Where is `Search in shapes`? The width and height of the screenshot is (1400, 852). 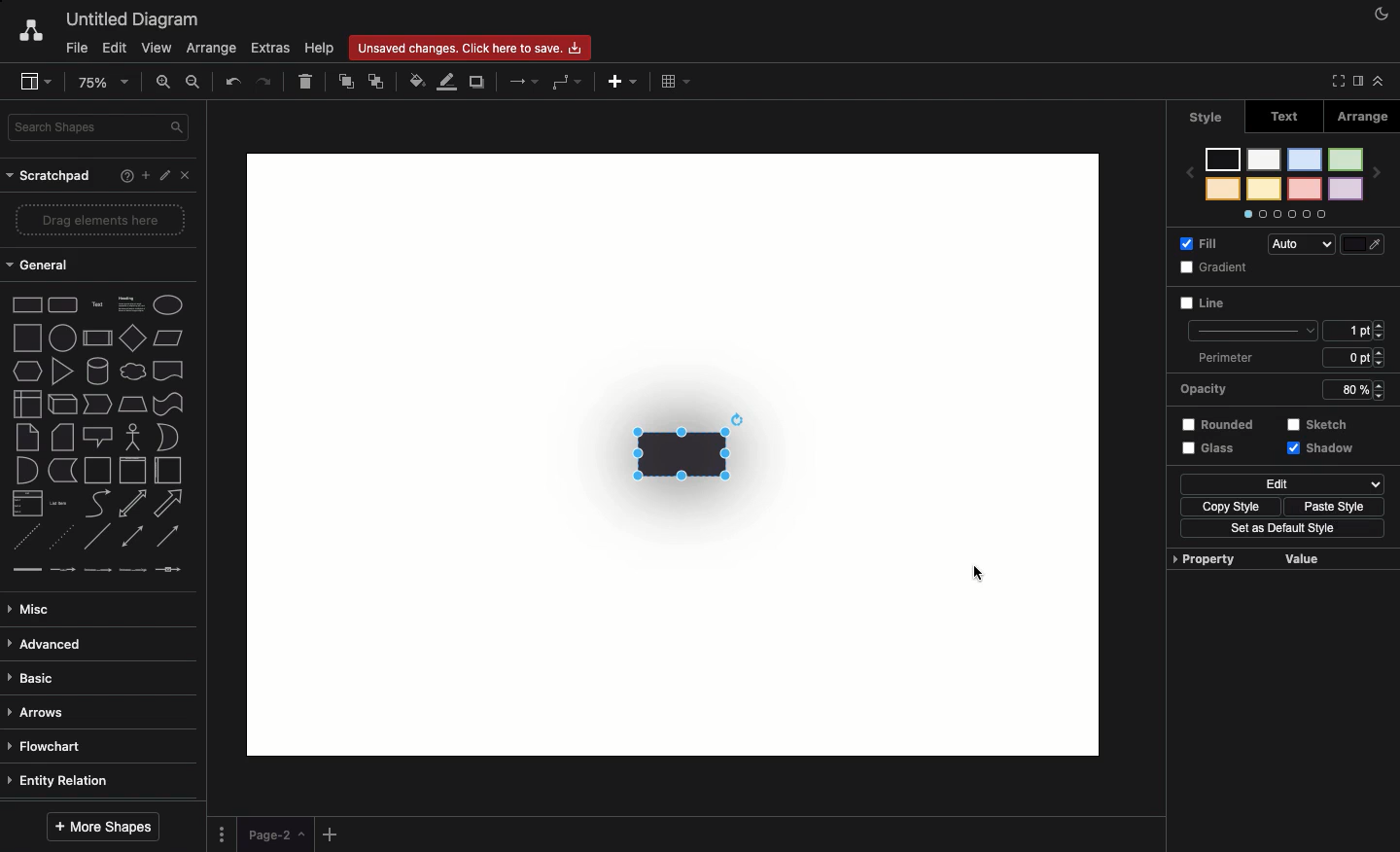
Search in shapes is located at coordinates (102, 126).